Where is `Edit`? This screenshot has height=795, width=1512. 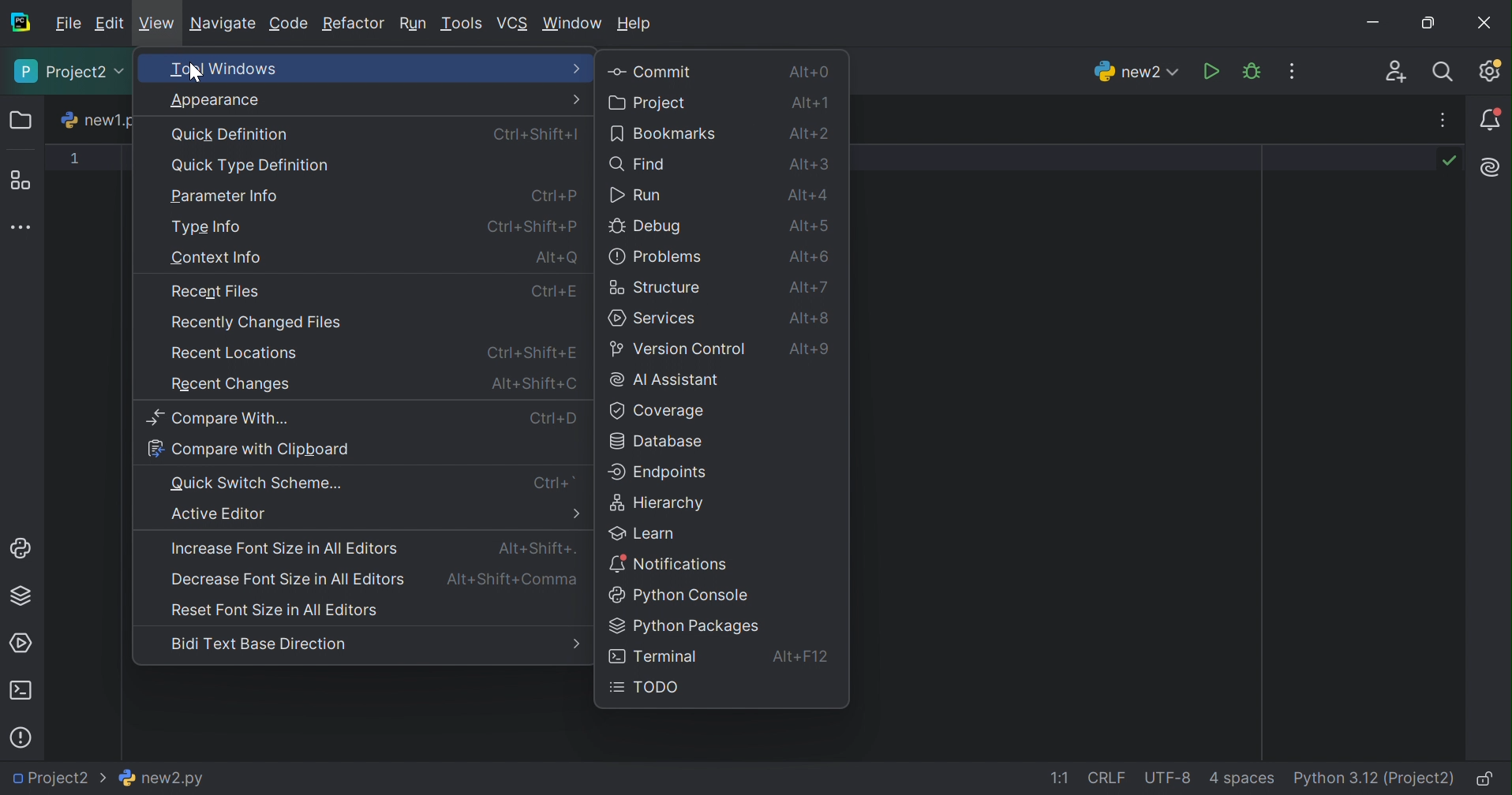 Edit is located at coordinates (108, 23).